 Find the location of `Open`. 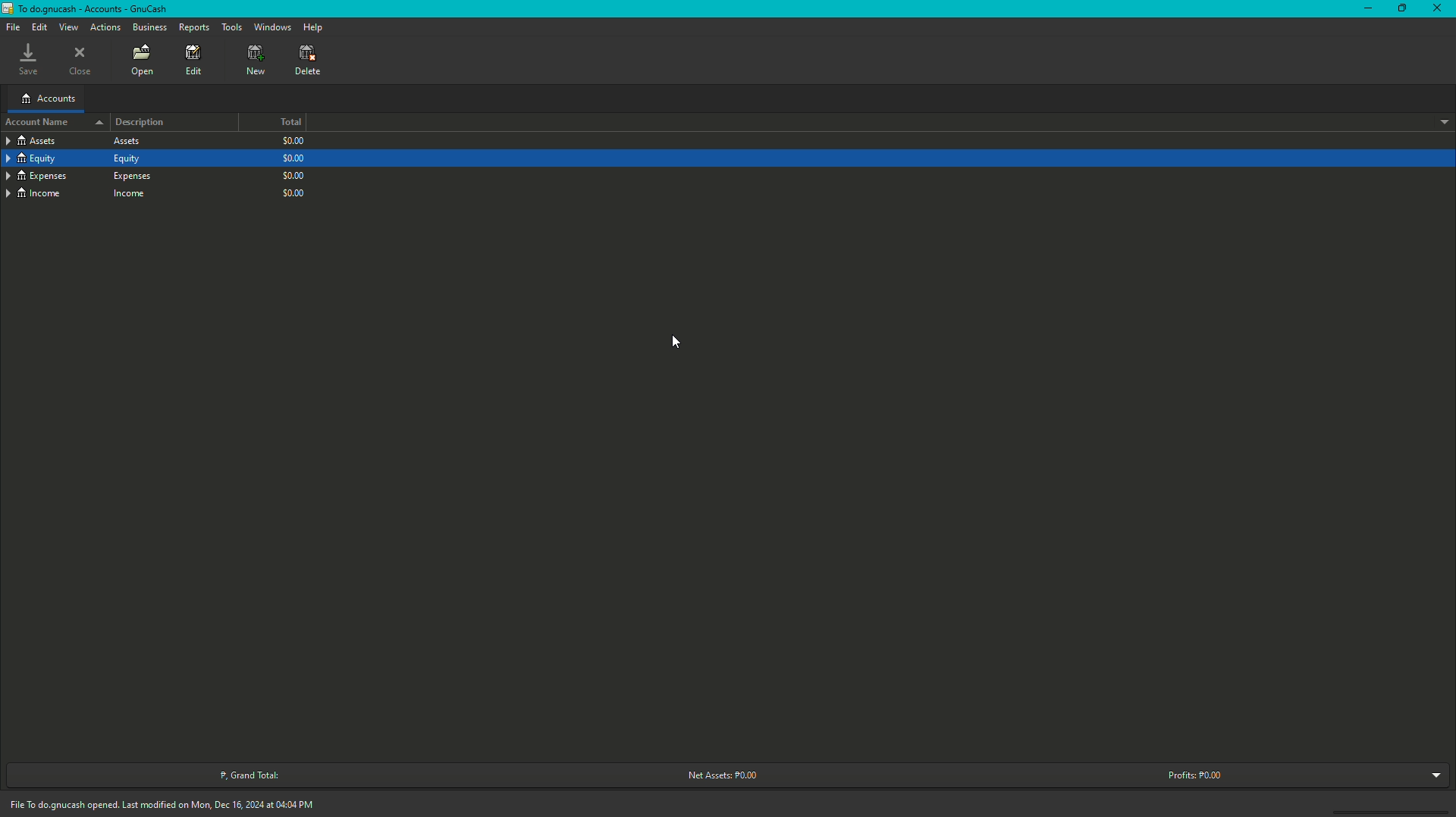

Open is located at coordinates (143, 62).